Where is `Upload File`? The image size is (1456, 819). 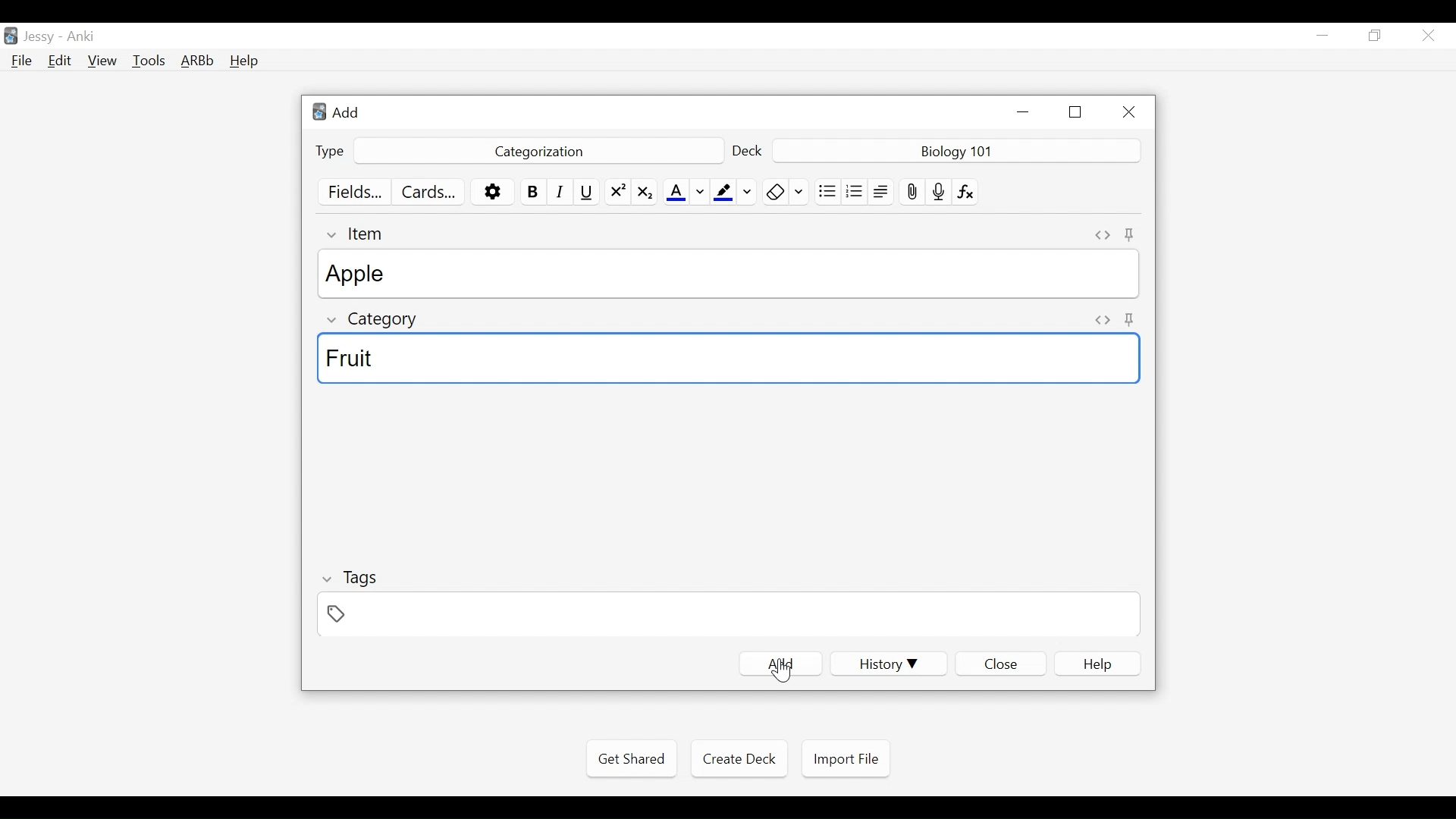
Upload File is located at coordinates (912, 192).